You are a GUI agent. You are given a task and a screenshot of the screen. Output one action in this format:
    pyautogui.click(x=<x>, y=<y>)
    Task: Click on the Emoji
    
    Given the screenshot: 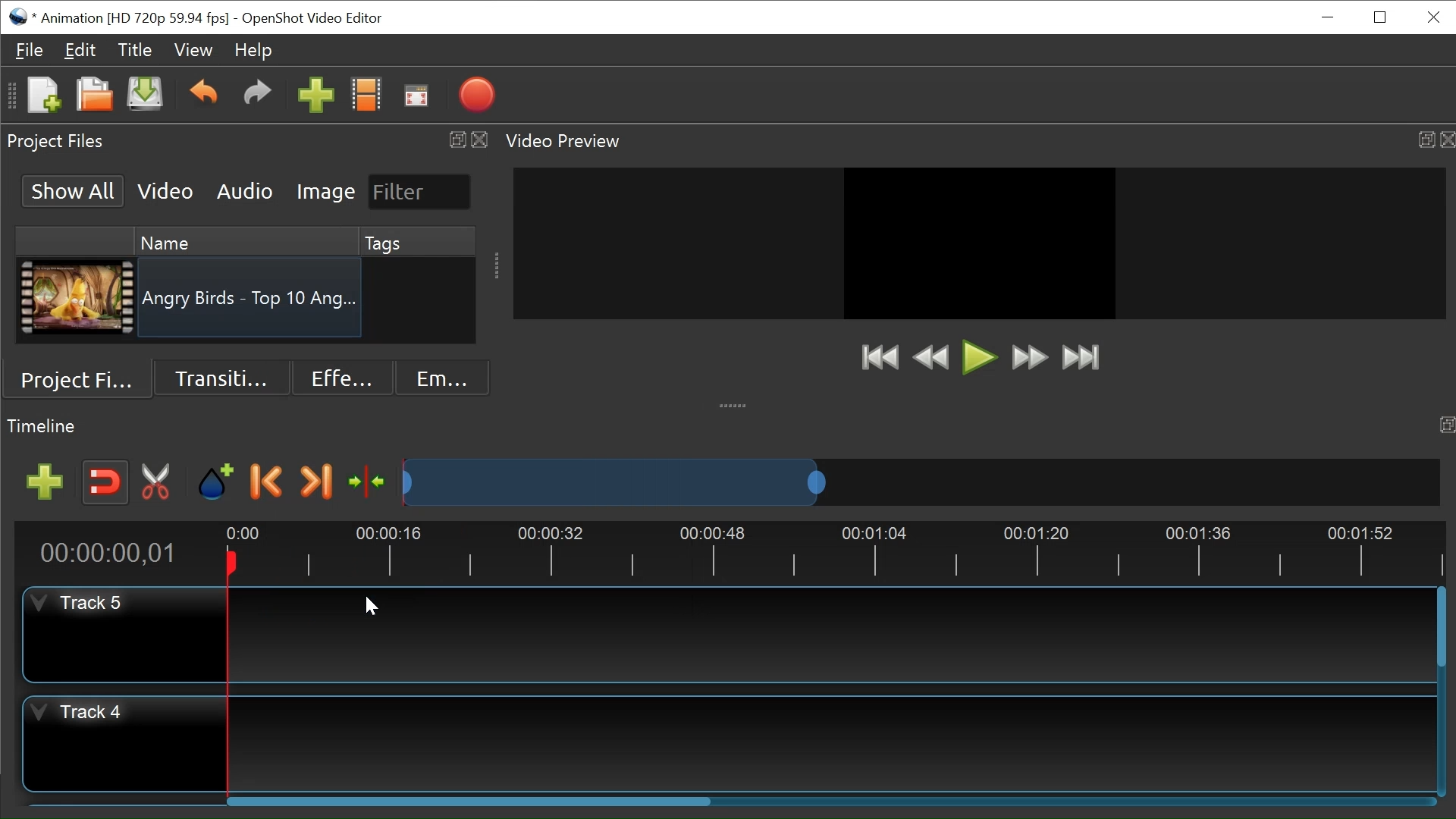 What is the action you would take?
    pyautogui.click(x=444, y=376)
    